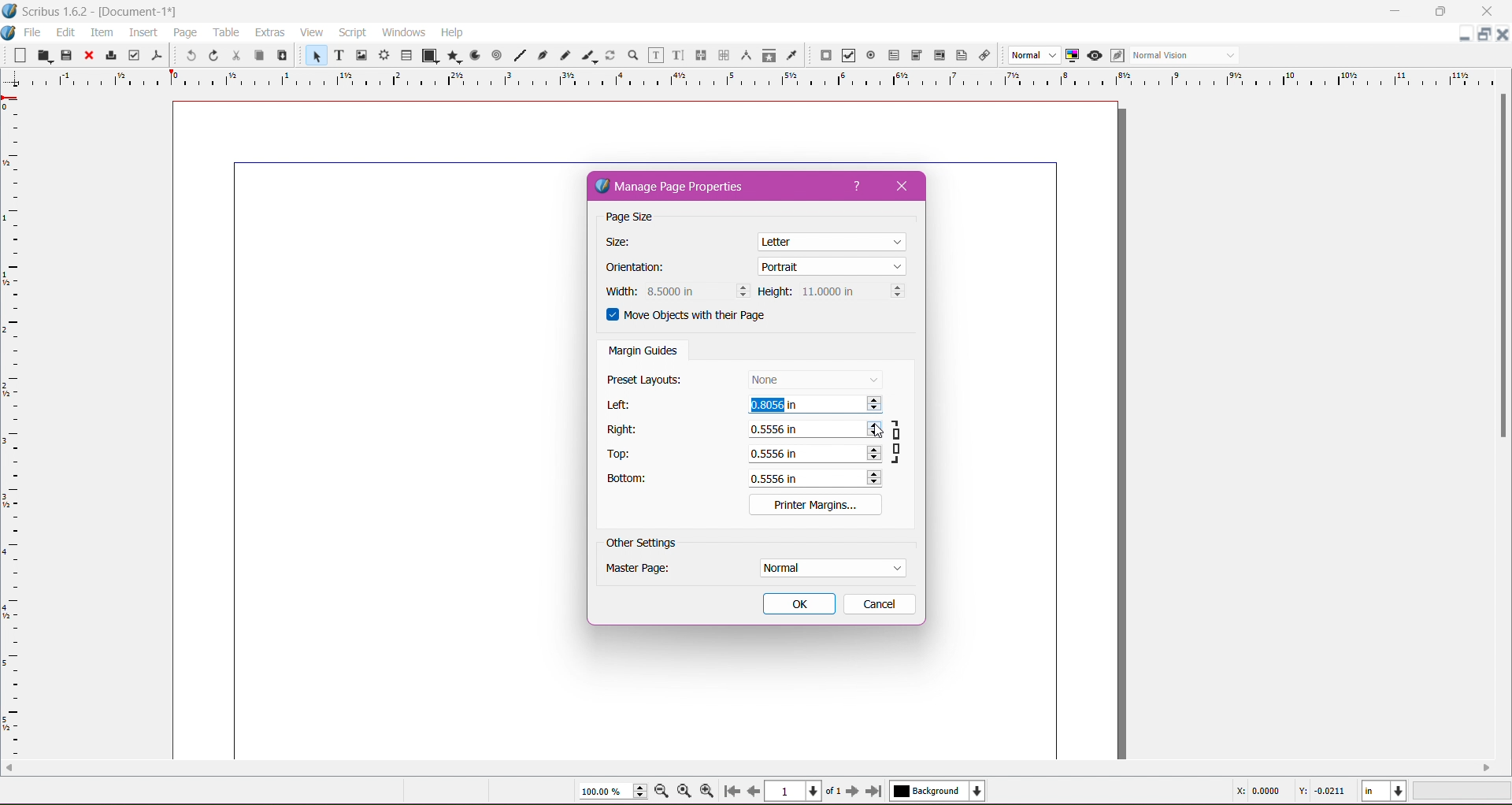 The image size is (1512, 805). Describe the element at coordinates (15, 54) in the screenshot. I see `New` at that location.